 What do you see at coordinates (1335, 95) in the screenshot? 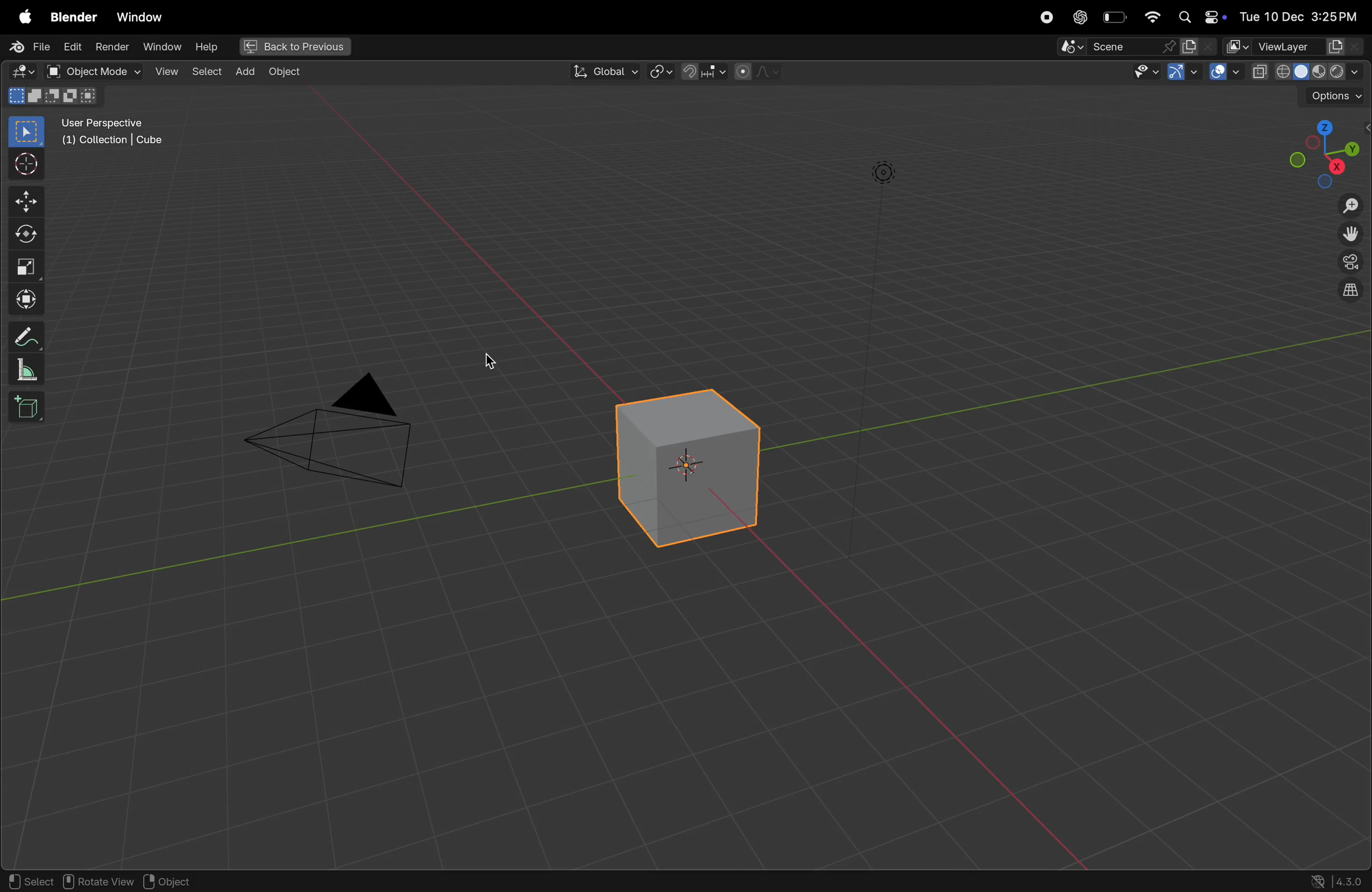
I see `option` at bounding box center [1335, 95].